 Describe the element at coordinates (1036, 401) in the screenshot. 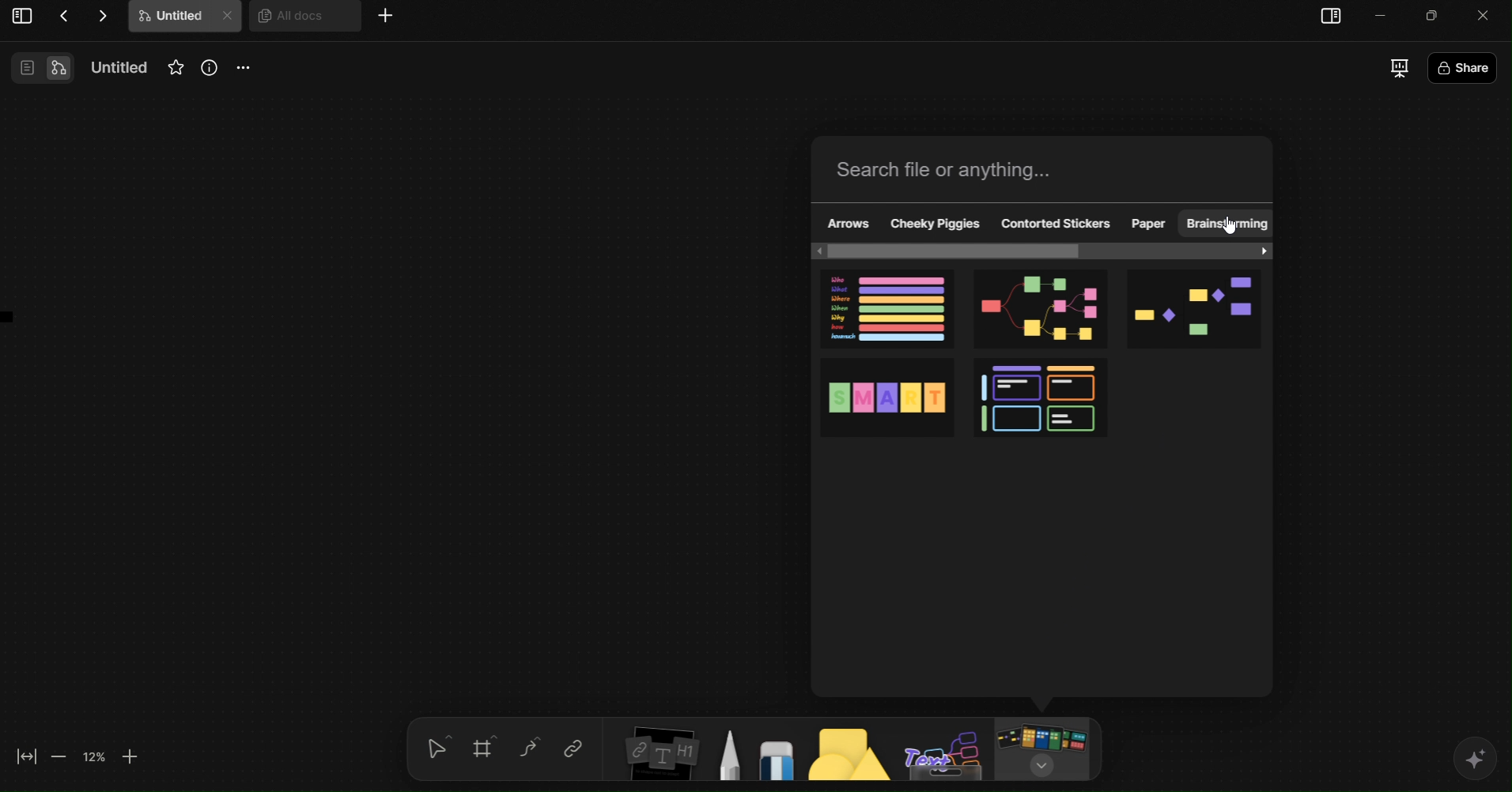

I see `4-Quadrant Matrix` at that location.